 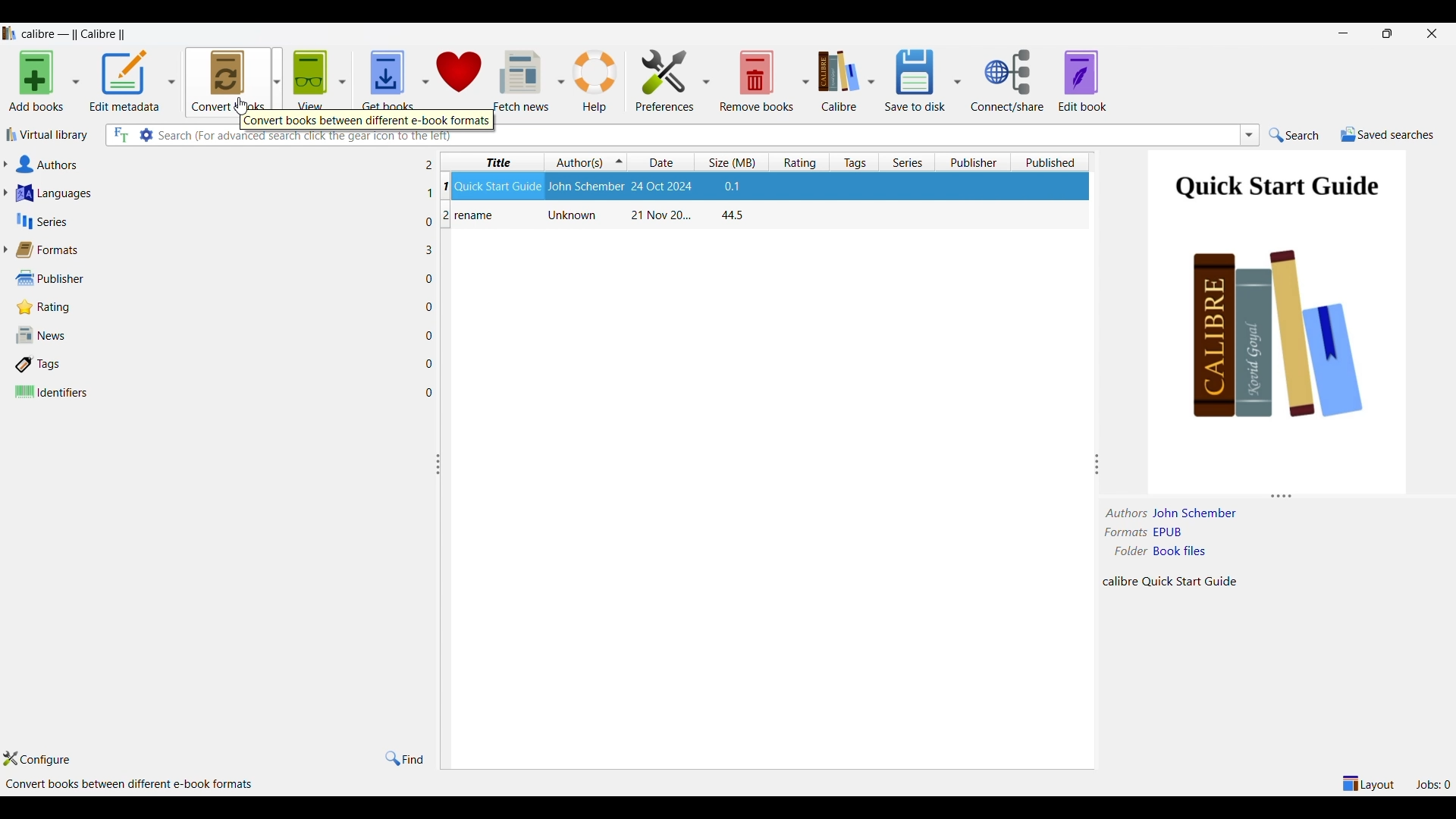 I want to click on Change height of panels attached, so click(x=1263, y=495).